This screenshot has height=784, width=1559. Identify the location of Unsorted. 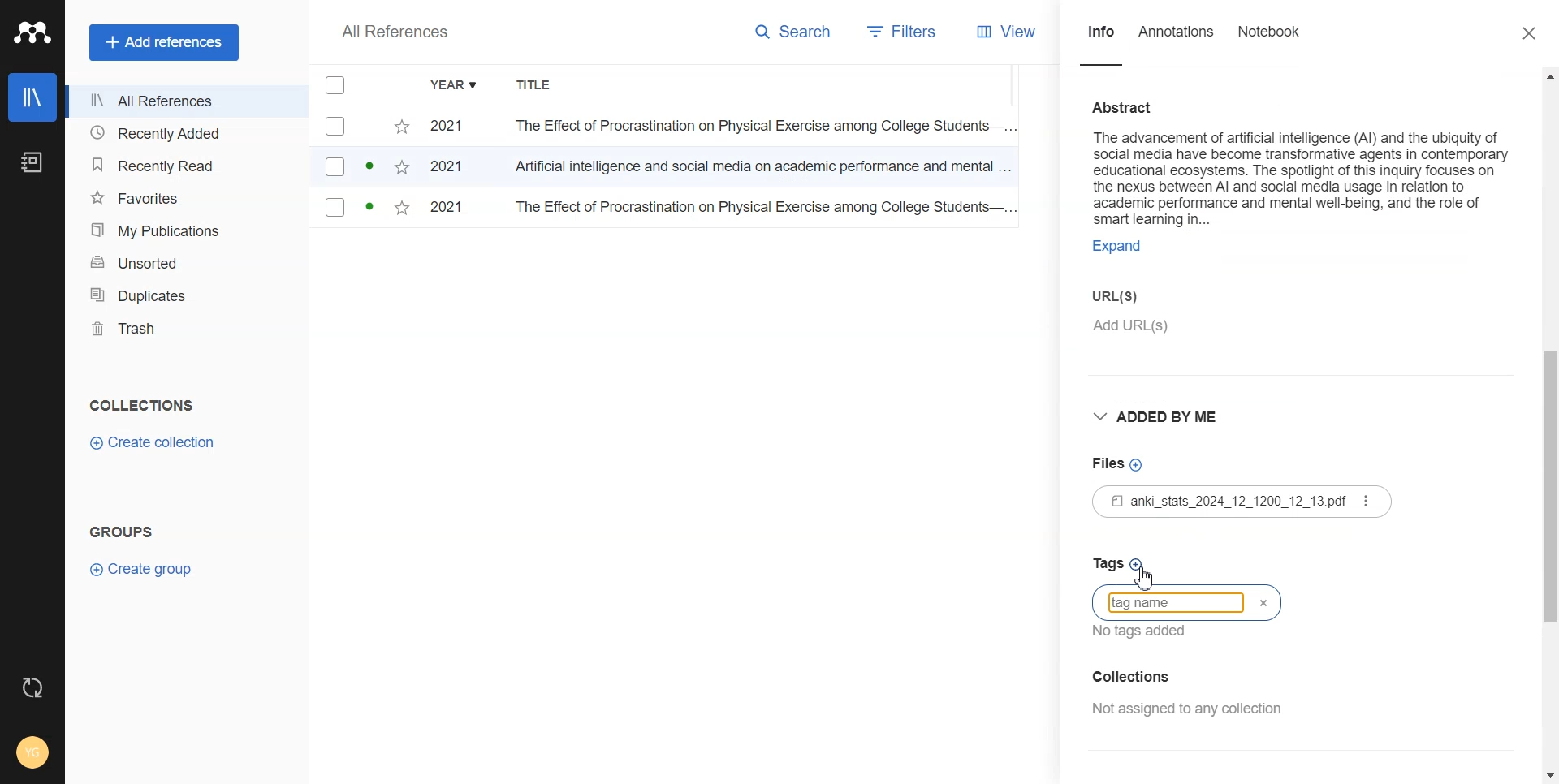
(185, 261).